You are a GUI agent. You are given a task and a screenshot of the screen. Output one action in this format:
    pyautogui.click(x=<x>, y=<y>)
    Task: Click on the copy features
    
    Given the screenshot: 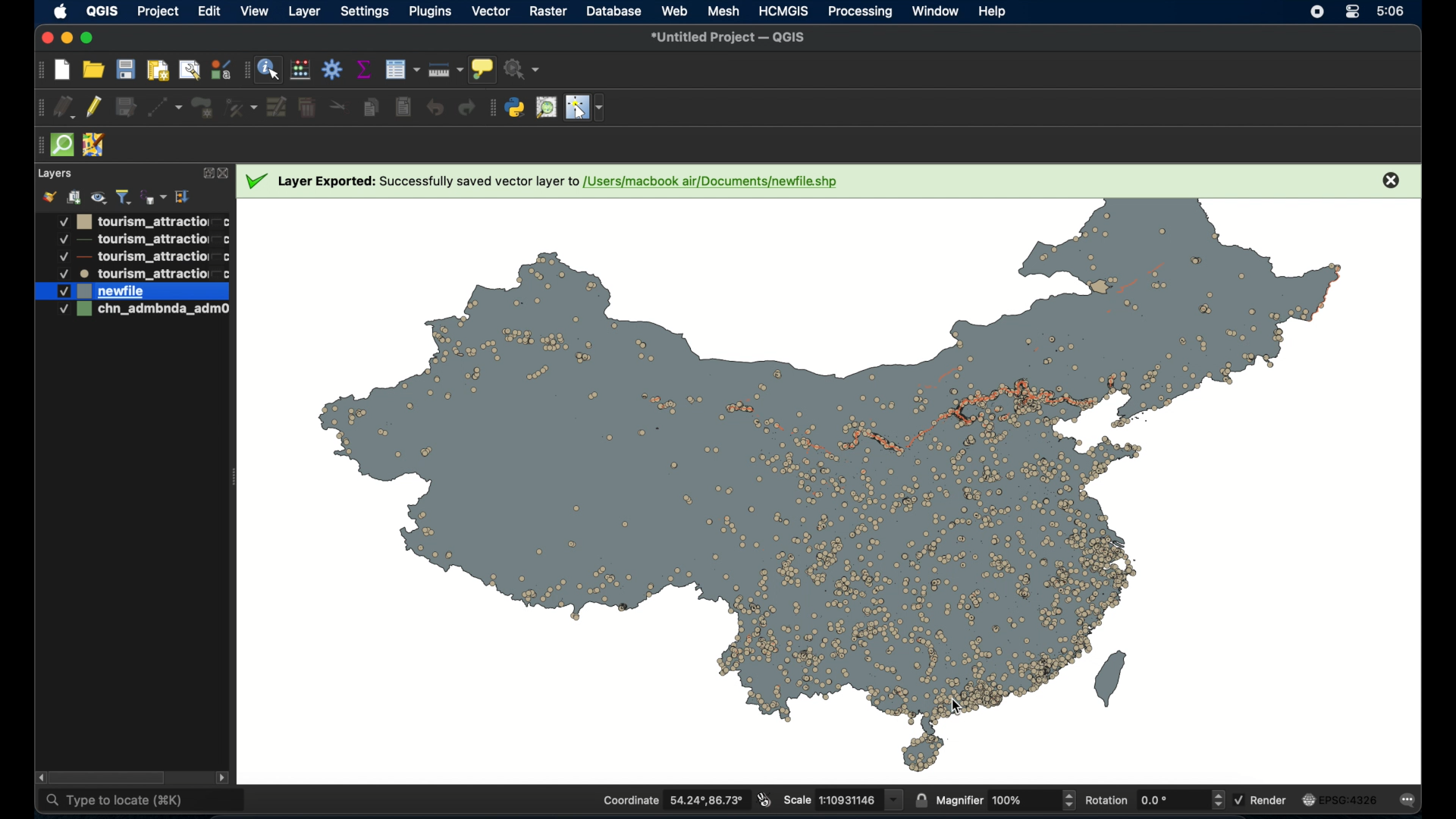 What is the action you would take?
    pyautogui.click(x=370, y=108)
    